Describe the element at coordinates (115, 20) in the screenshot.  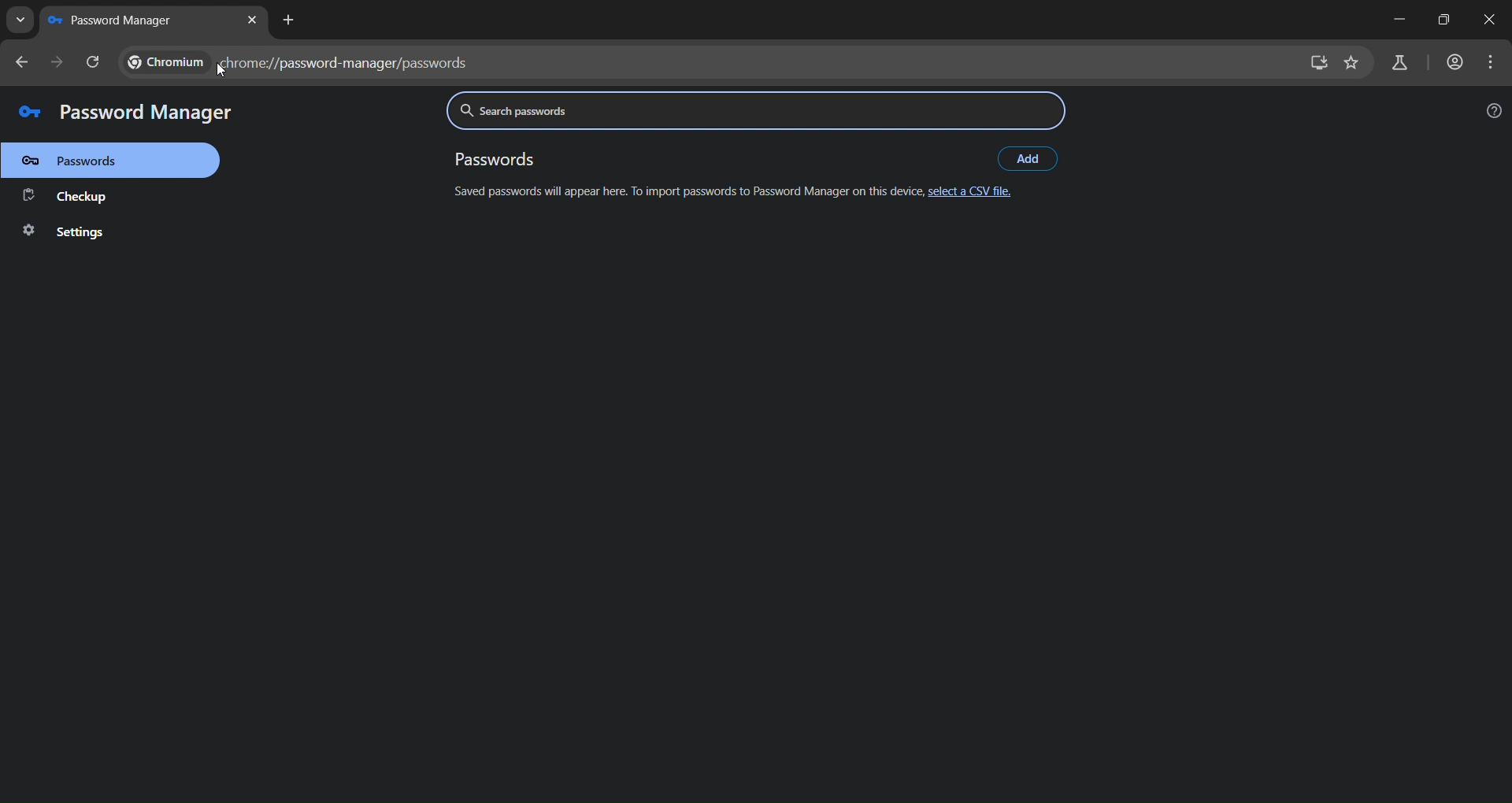
I see `tab` at that location.